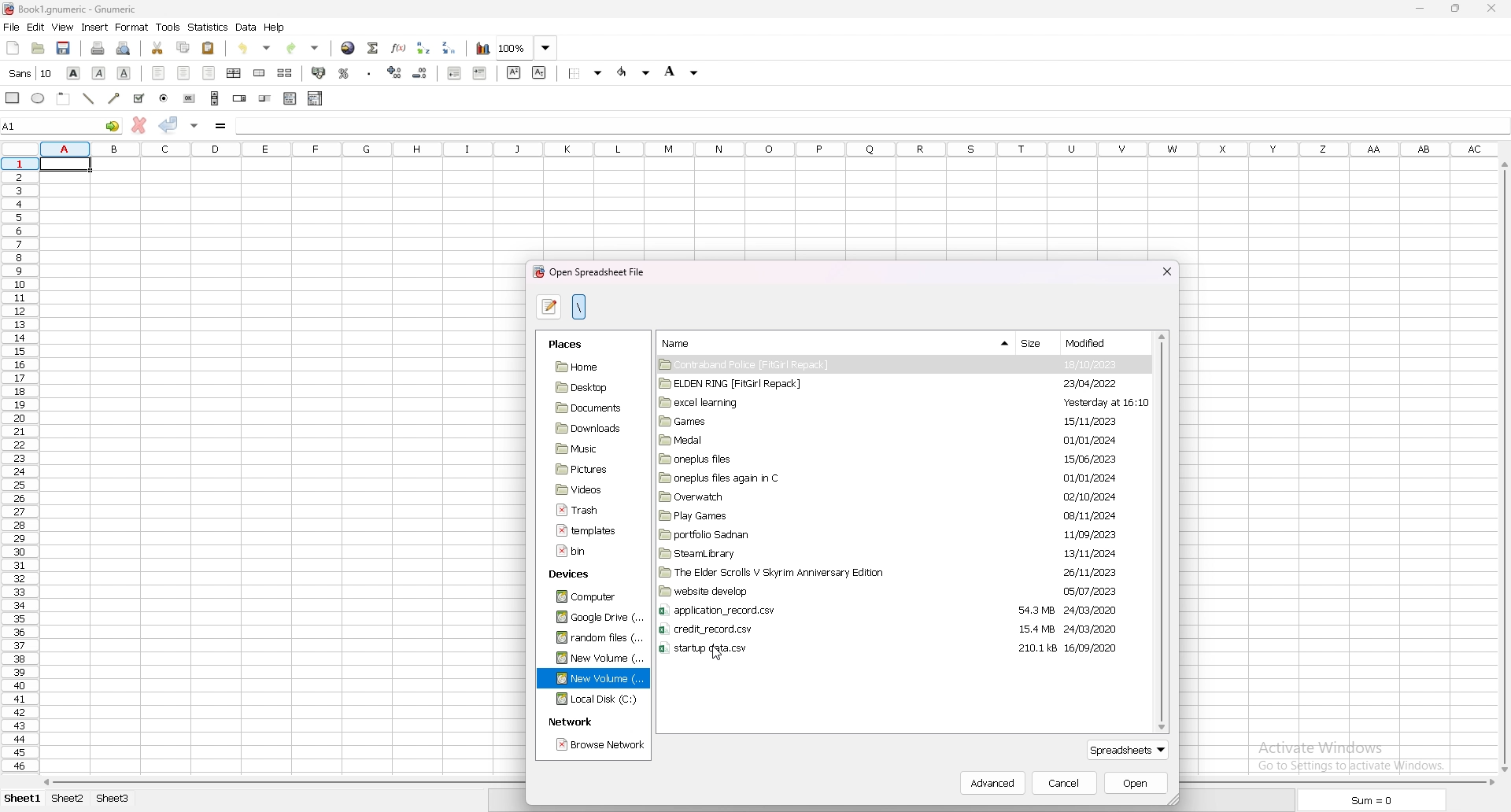 Image resolution: width=1511 pixels, height=812 pixels. What do you see at coordinates (453, 72) in the screenshot?
I see `decrease indent` at bounding box center [453, 72].